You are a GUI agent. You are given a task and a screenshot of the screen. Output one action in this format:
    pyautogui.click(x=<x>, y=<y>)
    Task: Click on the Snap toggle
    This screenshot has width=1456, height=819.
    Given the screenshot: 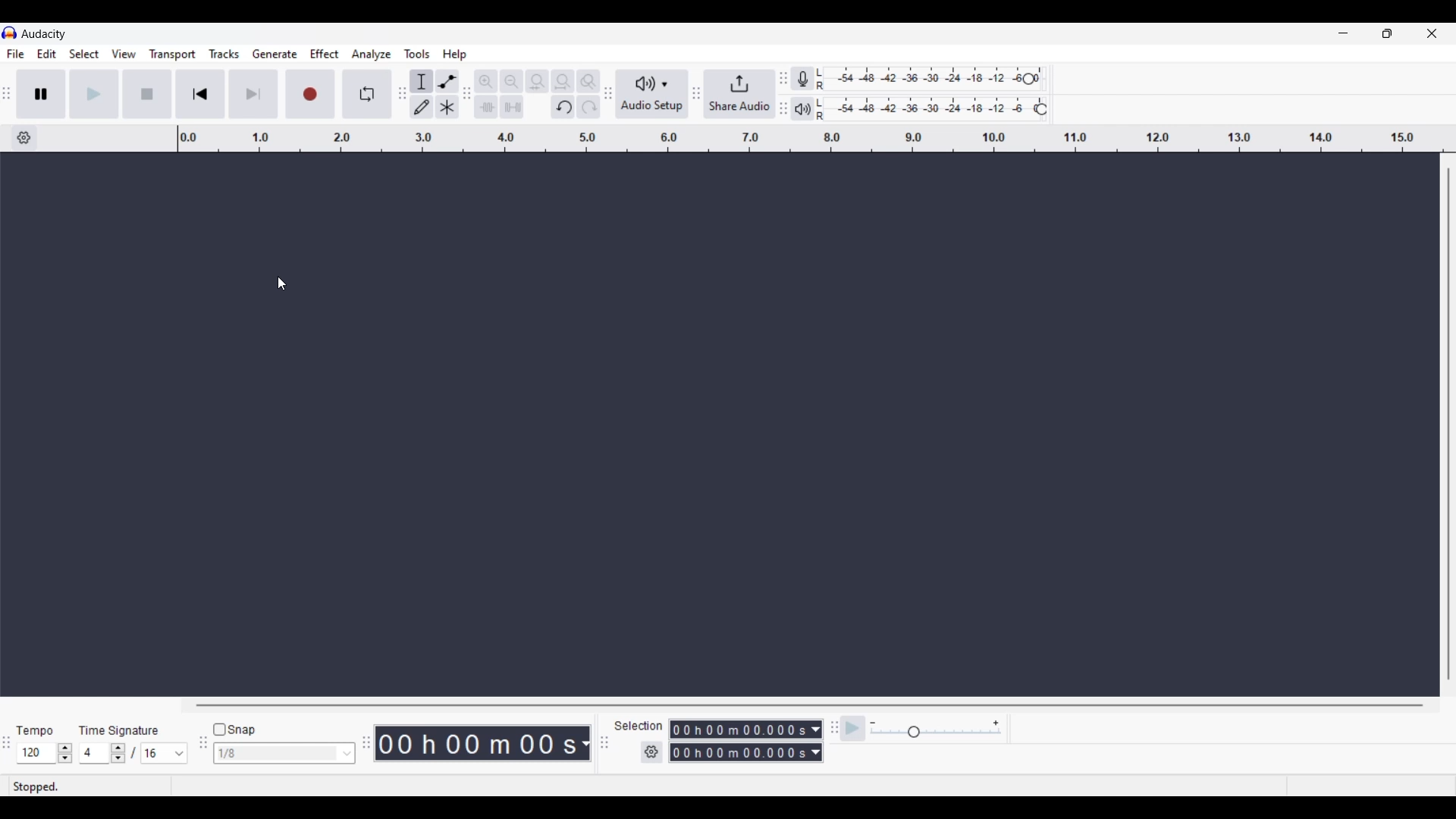 What is the action you would take?
    pyautogui.click(x=235, y=730)
    